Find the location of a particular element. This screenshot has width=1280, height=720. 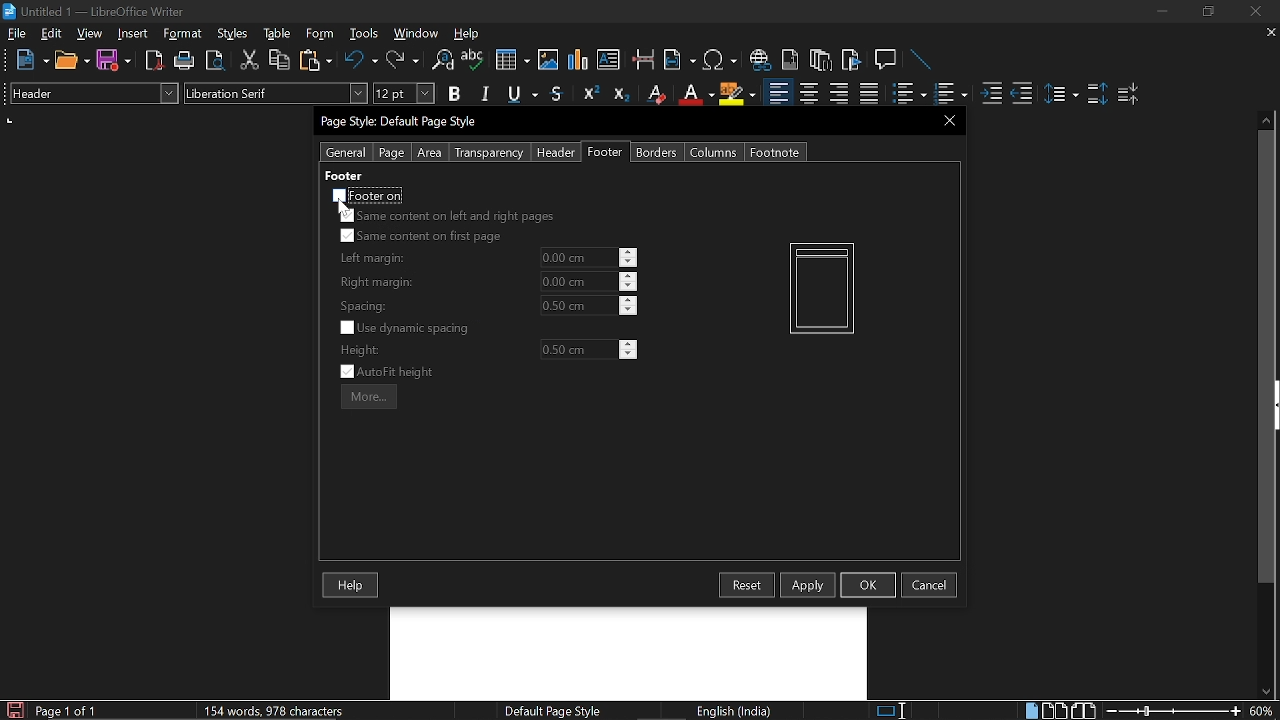

Line is located at coordinates (922, 61).